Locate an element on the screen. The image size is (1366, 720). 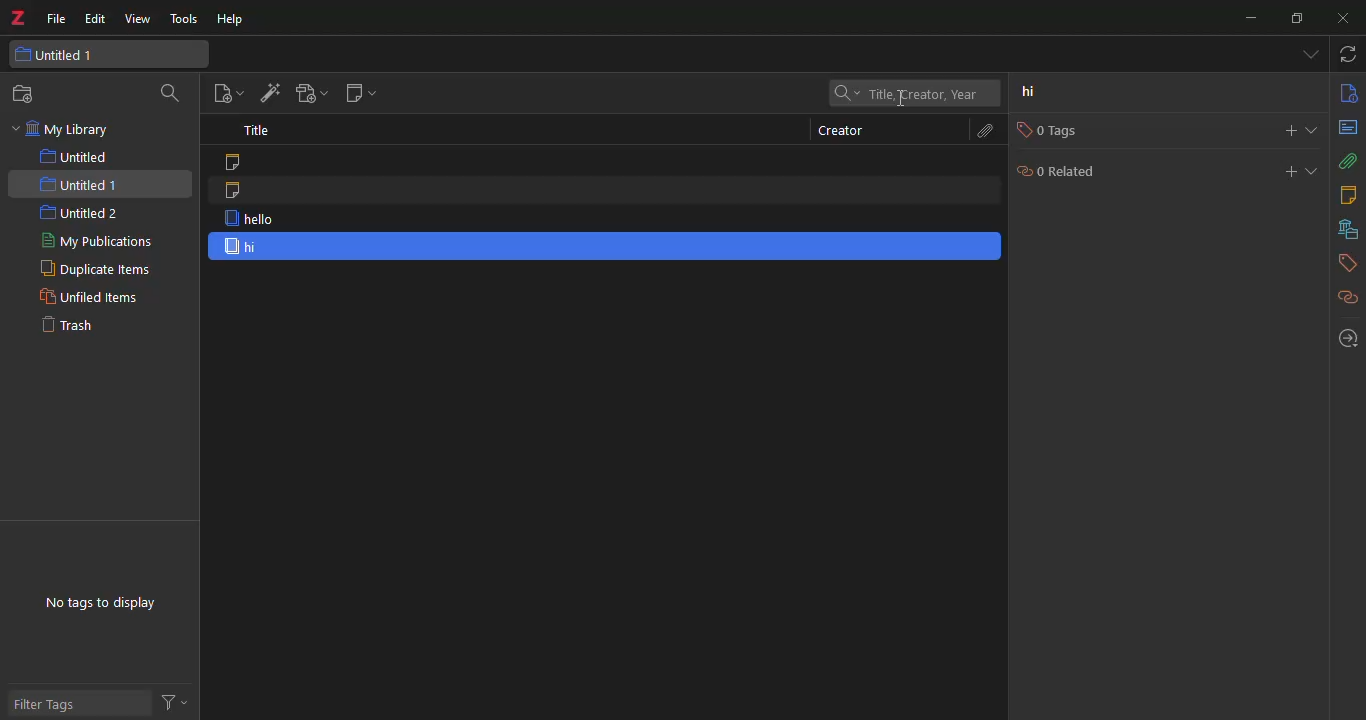
my publications is located at coordinates (96, 240).